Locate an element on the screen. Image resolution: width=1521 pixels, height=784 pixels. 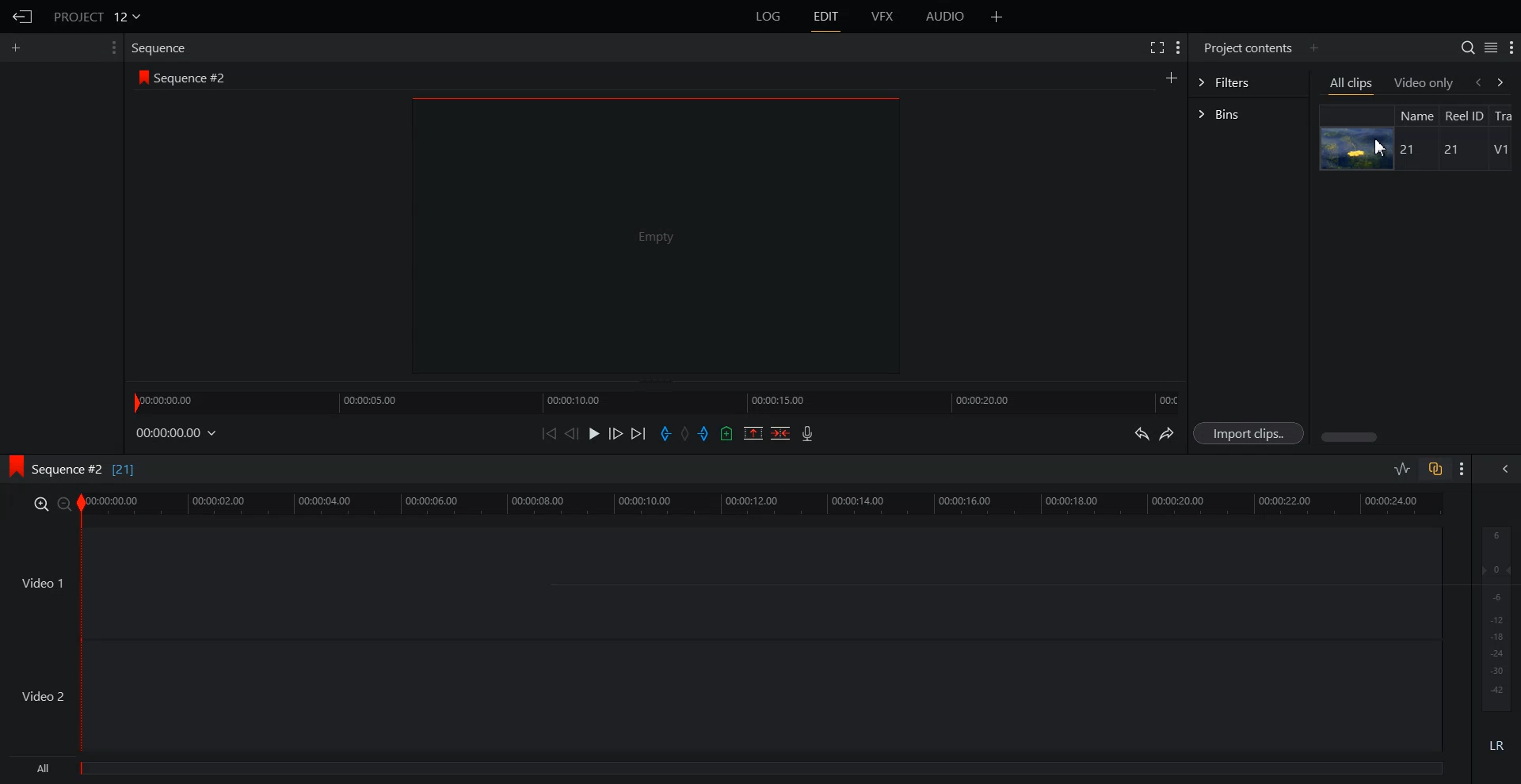
Tra is located at coordinates (1507, 114).